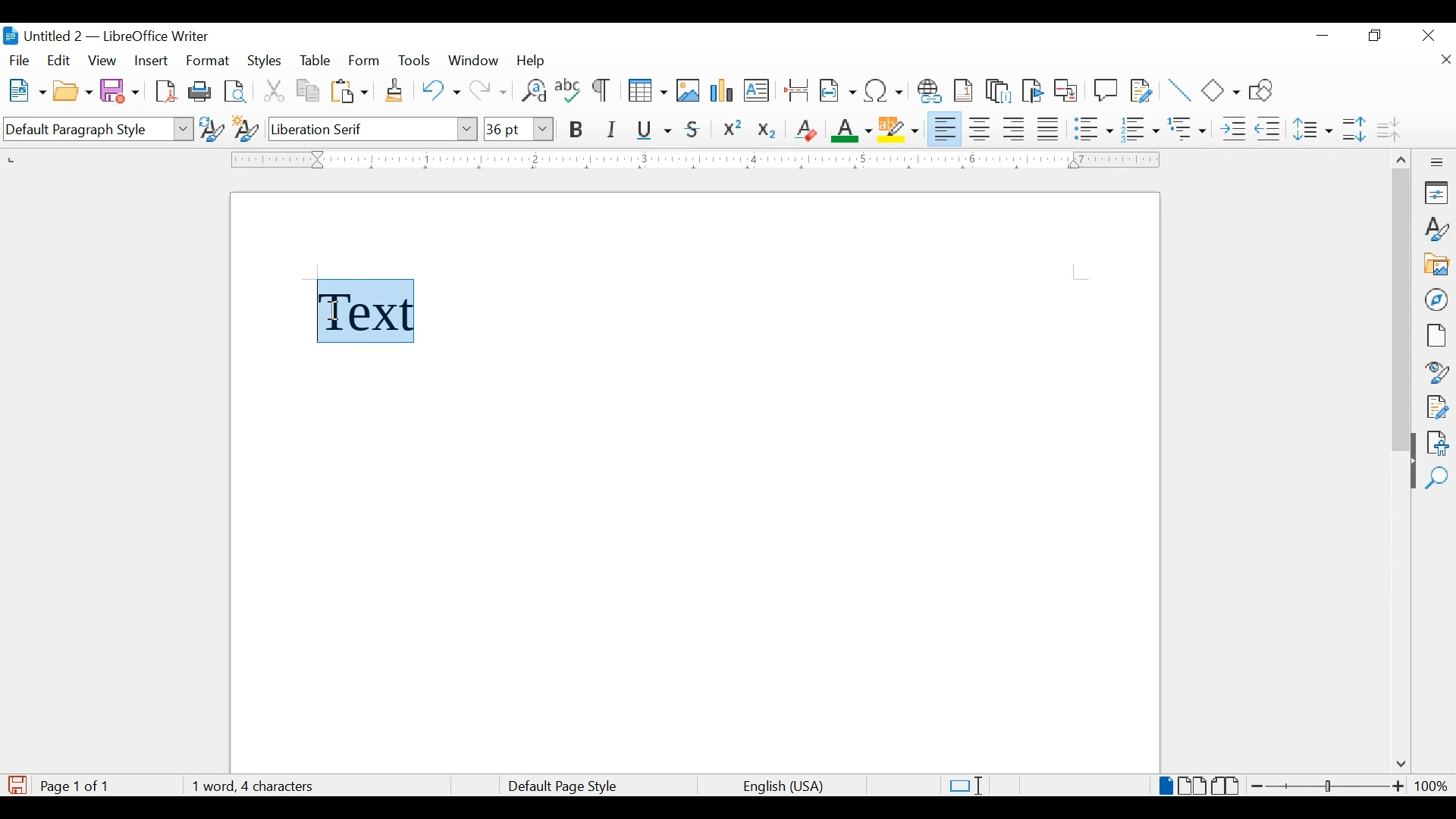 This screenshot has width=1456, height=819. What do you see at coordinates (1431, 786) in the screenshot?
I see `zoom level` at bounding box center [1431, 786].